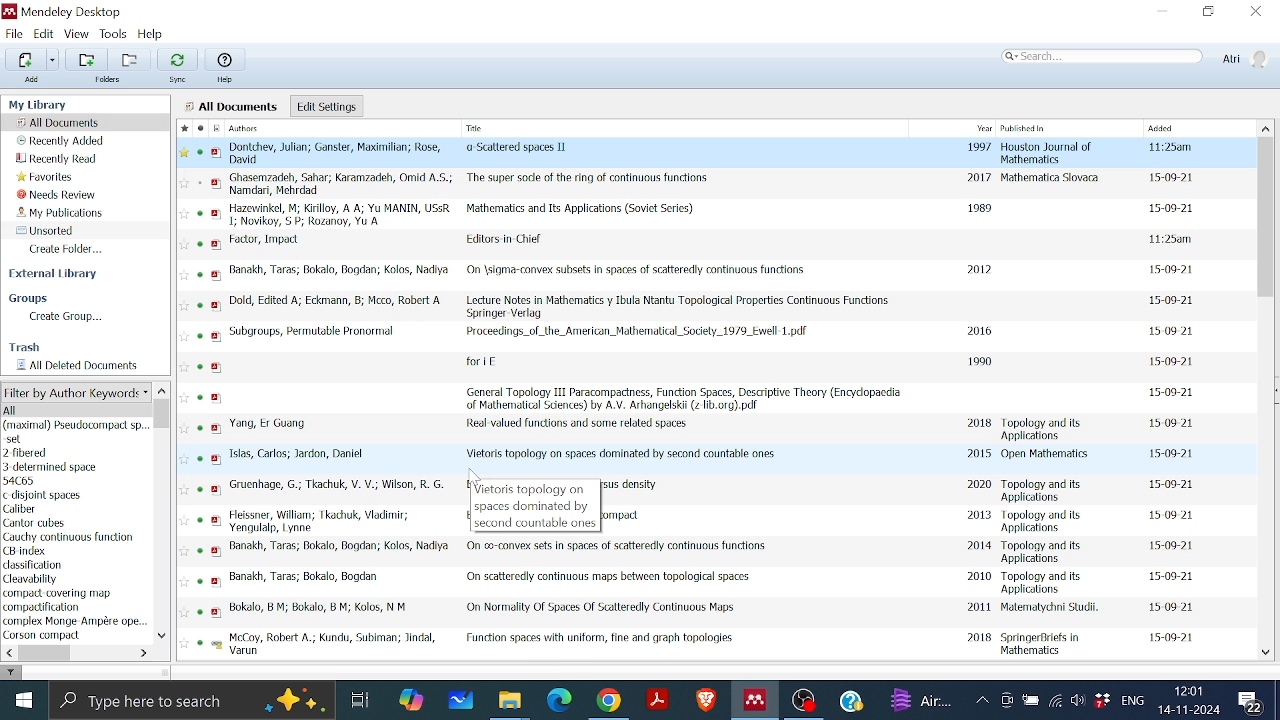 Image resolution: width=1280 pixels, height=720 pixels. What do you see at coordinates (218, 488) in the screenshot?
I see `pdf` at bounding box center [218, 488].